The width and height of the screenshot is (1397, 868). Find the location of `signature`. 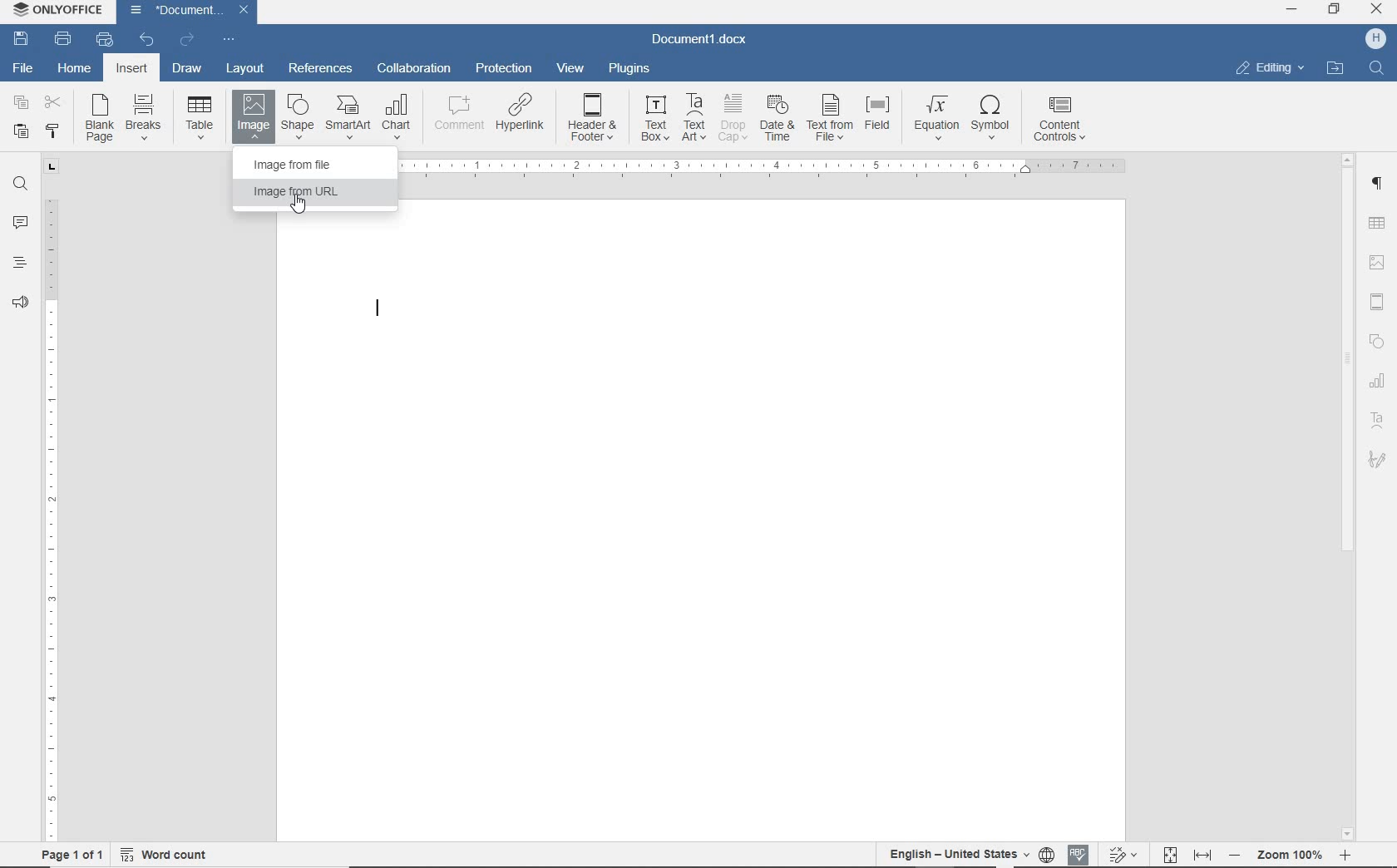

signature is located at coordinates (1380, 461).